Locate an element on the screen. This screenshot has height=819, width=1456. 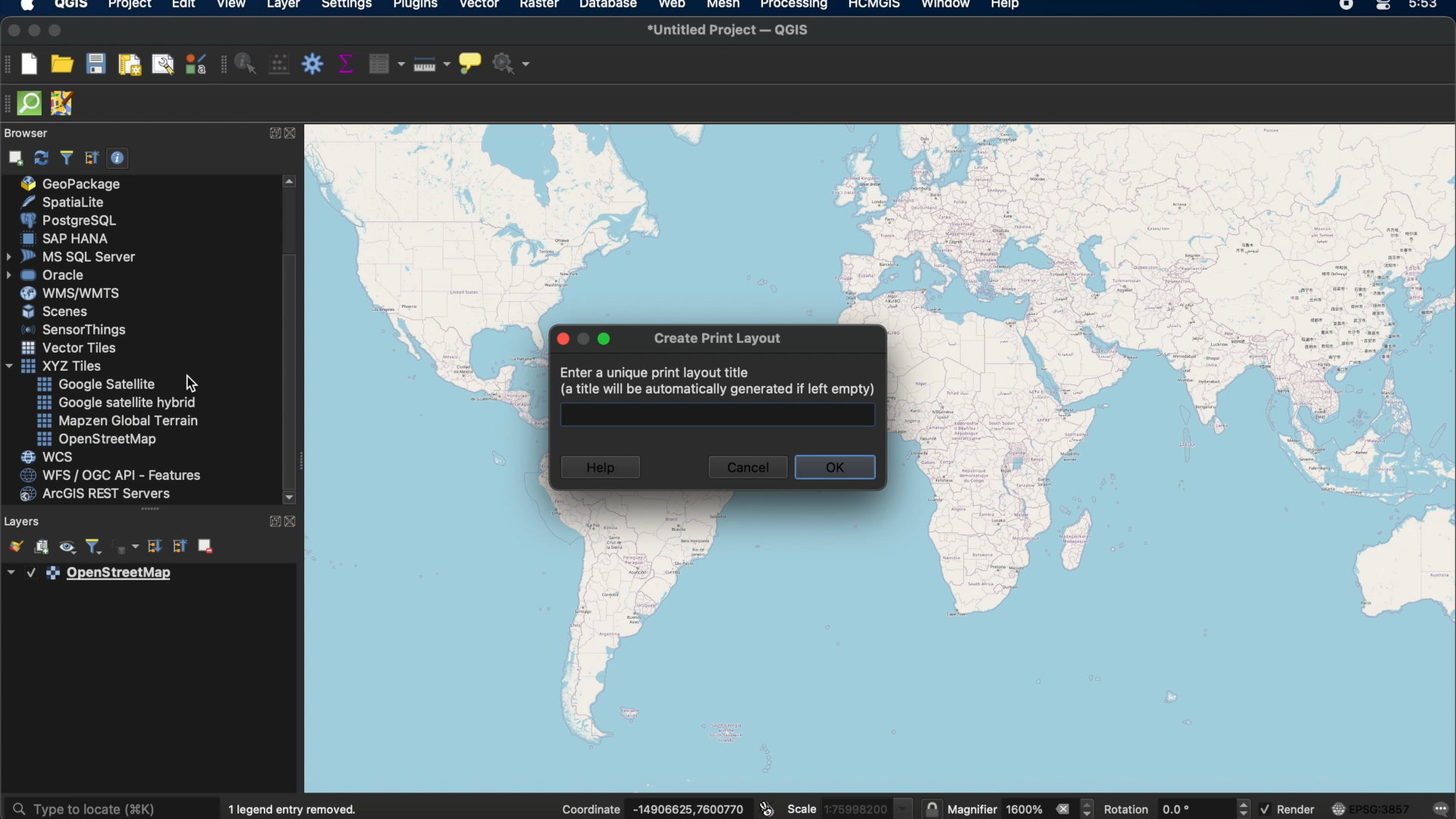
settings is located at coordinates (347, 6).